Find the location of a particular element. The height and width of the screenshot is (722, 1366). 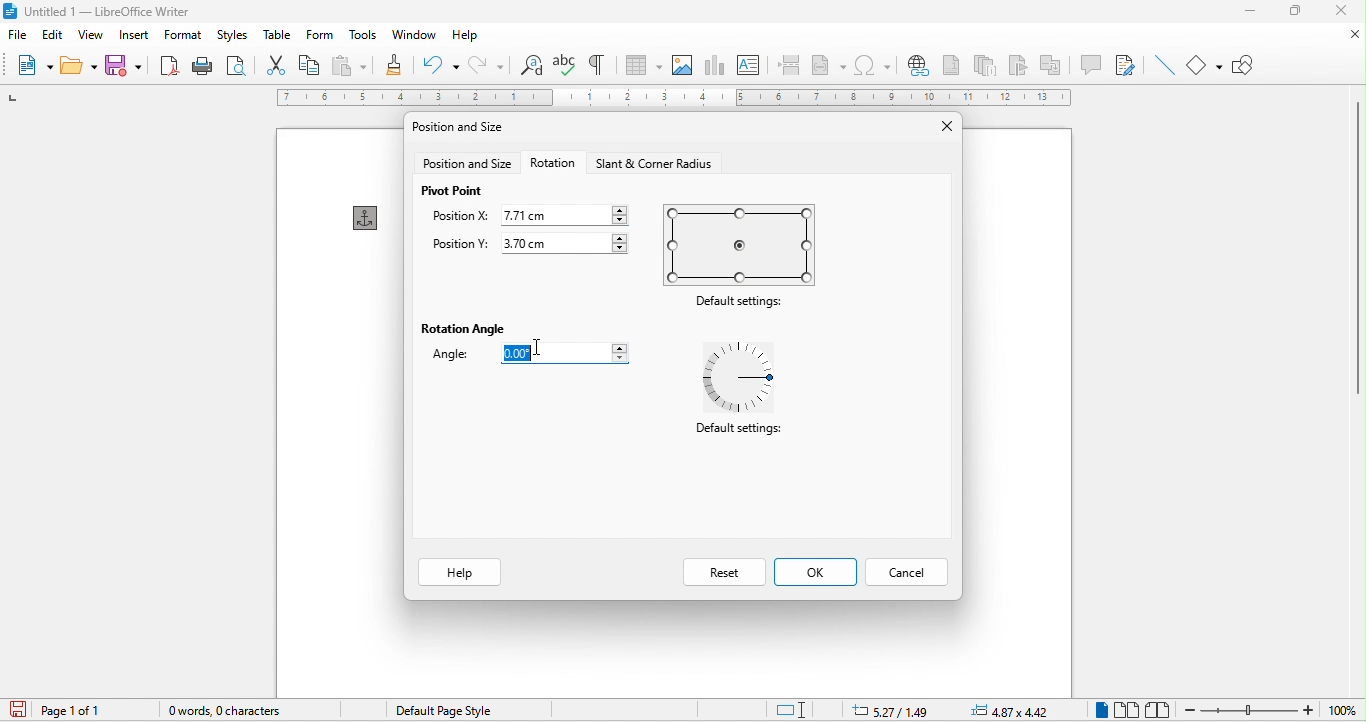

rotation angle is located at coordinates (462, 326).